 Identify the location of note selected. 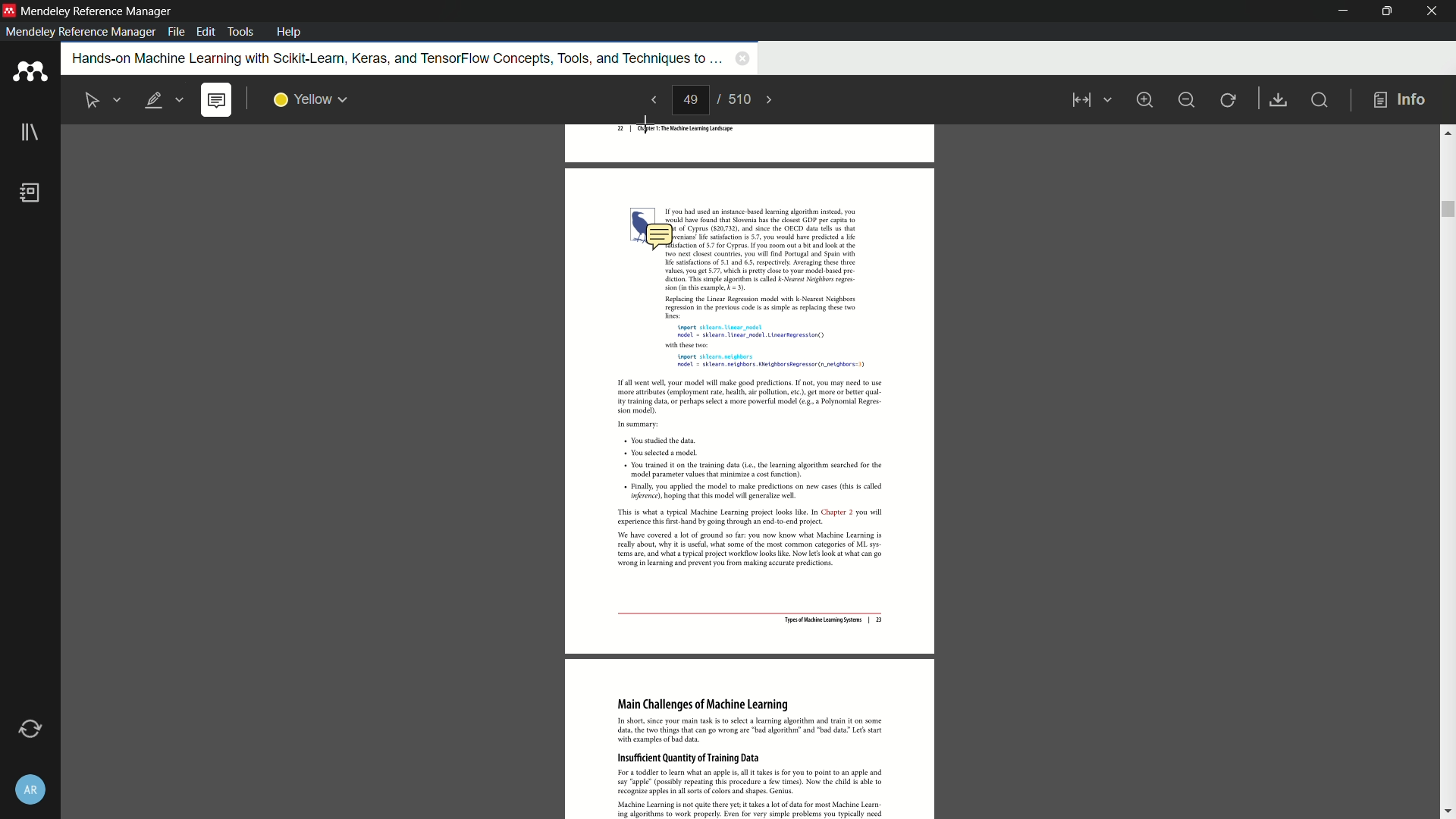
(218, 100).